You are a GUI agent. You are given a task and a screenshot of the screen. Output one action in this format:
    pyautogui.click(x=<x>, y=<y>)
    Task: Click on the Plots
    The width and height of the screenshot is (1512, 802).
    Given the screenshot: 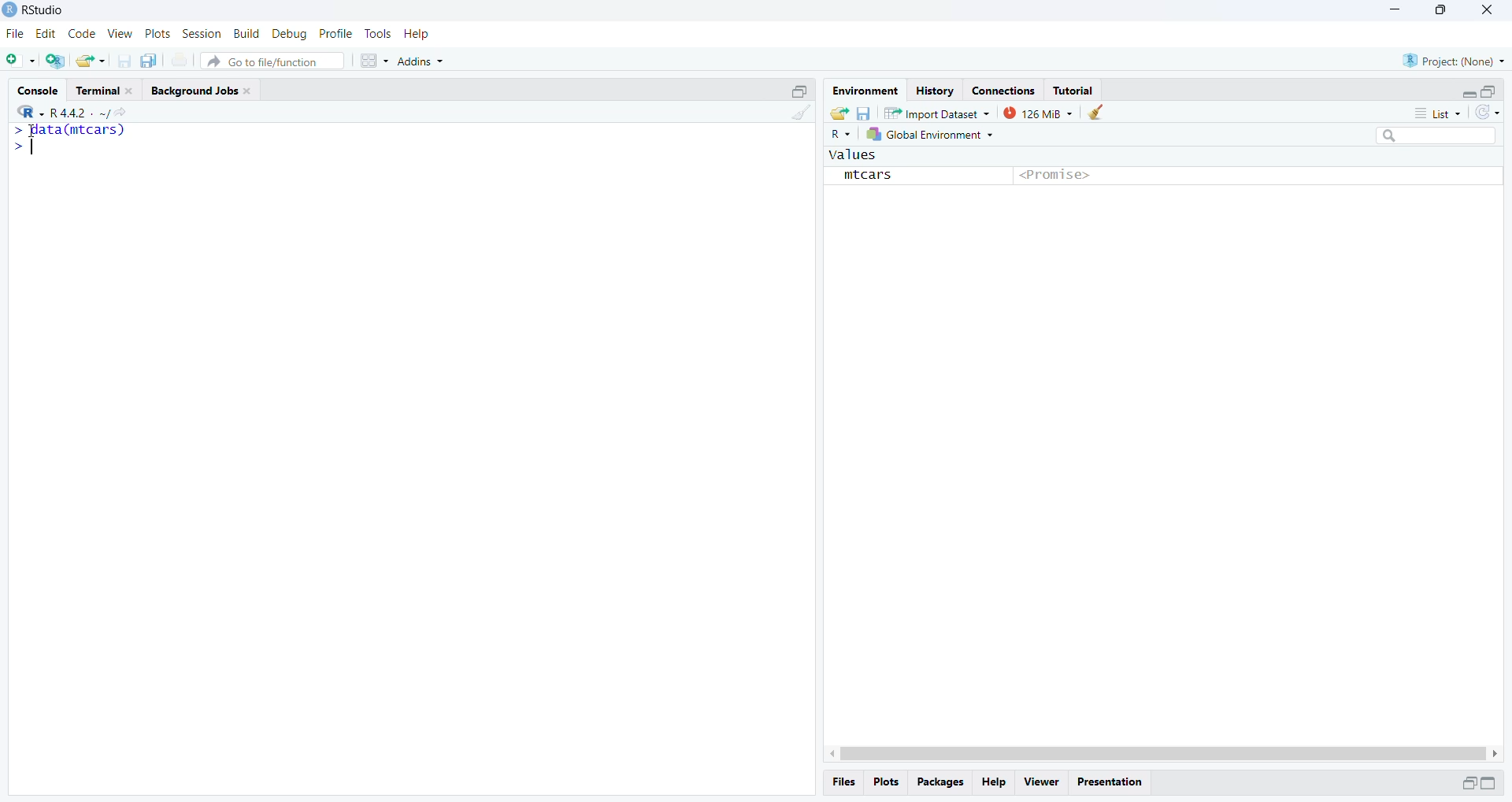 What is the action you would take?
    pyautogui.click(x=884, y=782)
    